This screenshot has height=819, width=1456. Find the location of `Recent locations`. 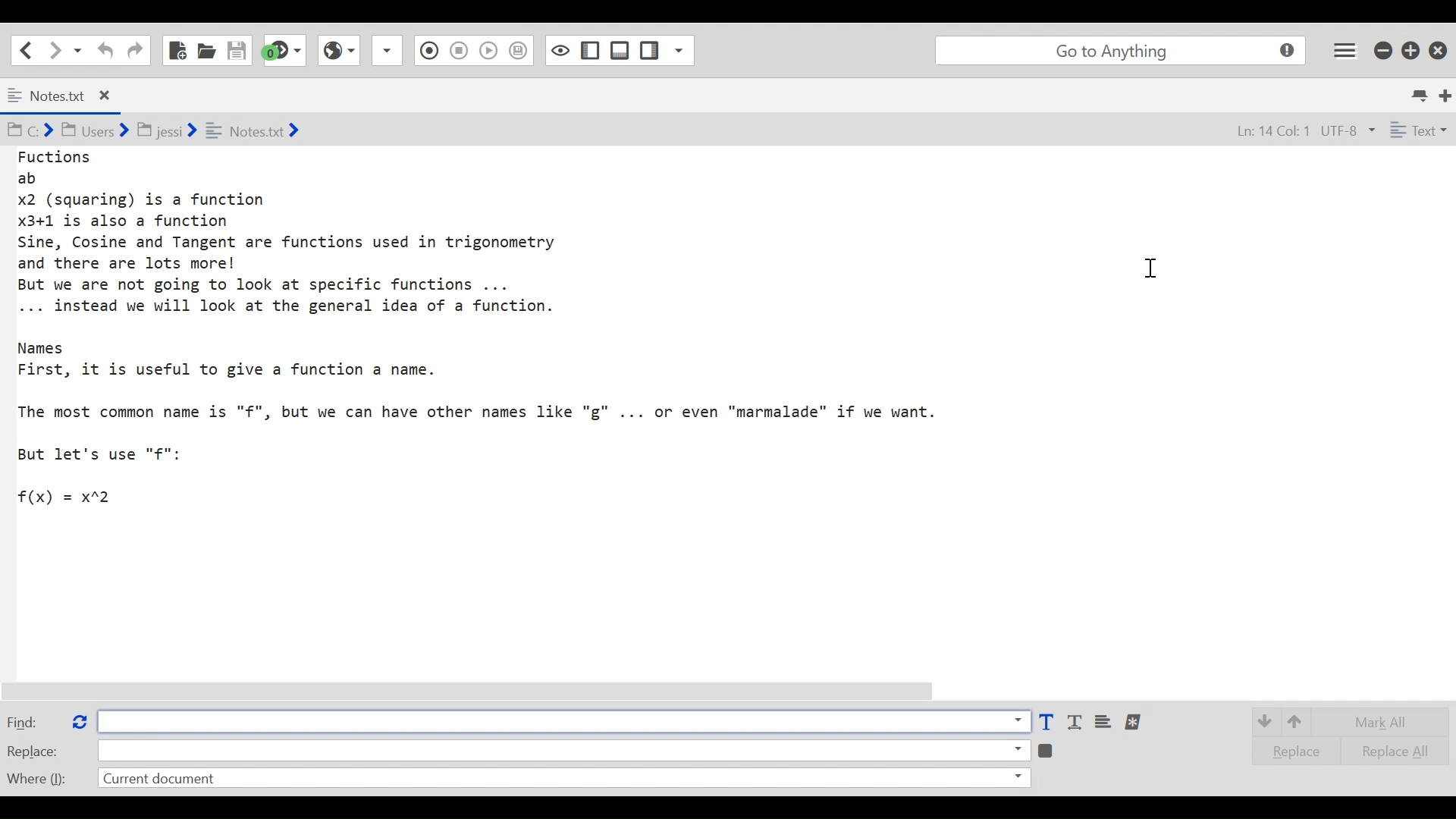

Recent locations is located at coordinates (78, 49).